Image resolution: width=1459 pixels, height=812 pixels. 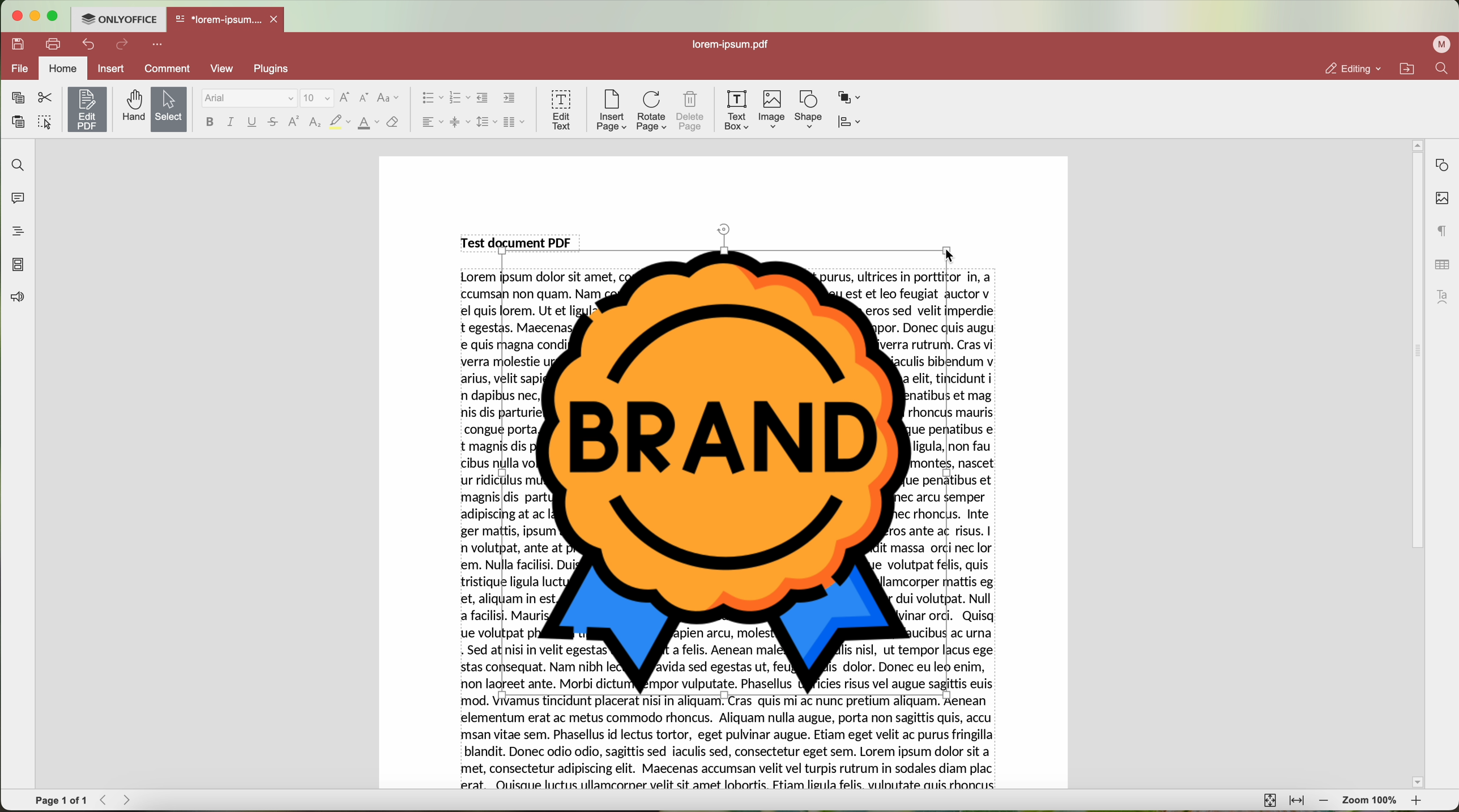 What do you see at coordinates (15, 196) in the screenshot?
I see `comments` at bounding box center [15, 196].